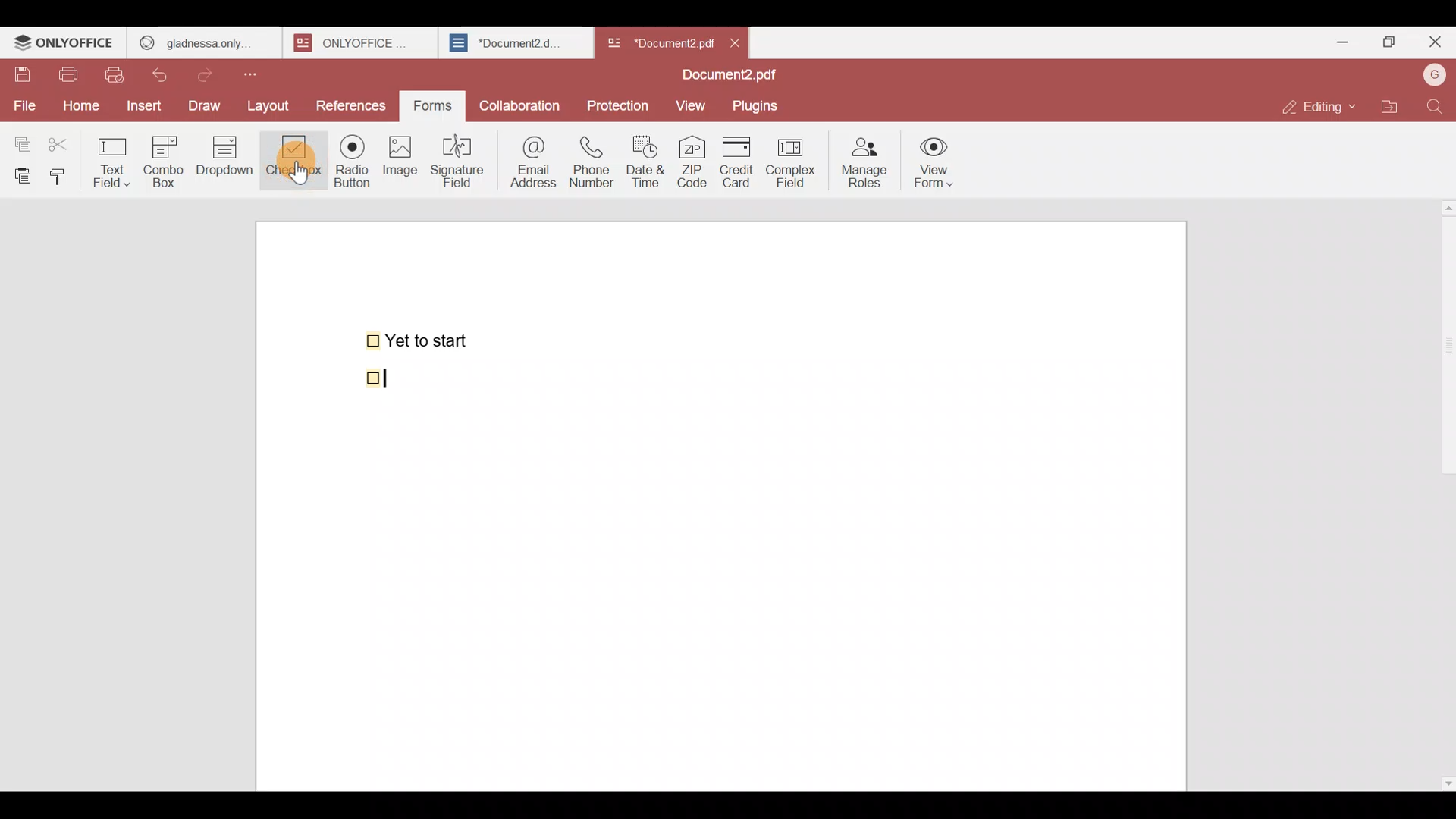 The width and height of the screenshot is (1456, 819). I want to click on Copy, so click(20, 140).